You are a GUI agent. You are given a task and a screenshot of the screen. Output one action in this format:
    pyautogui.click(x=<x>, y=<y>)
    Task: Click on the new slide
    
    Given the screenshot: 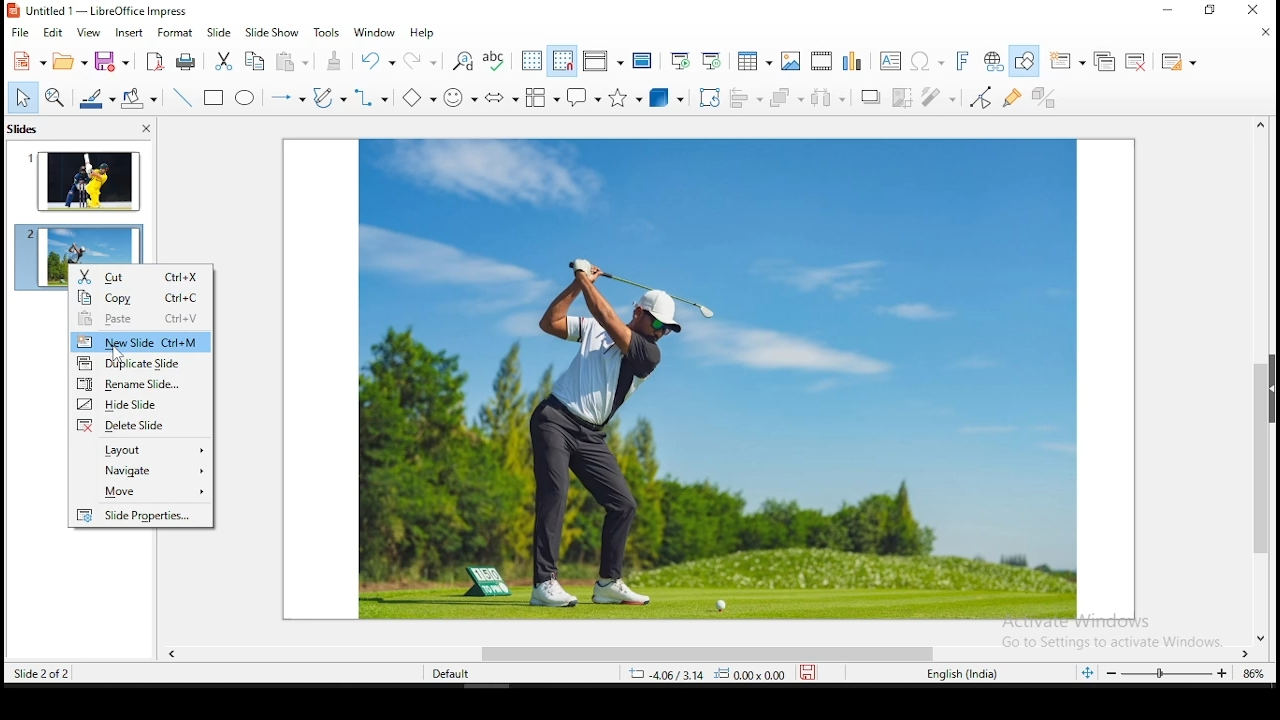 What is the action you would take?
    pyautogui.click(x=1069, y=59)
    